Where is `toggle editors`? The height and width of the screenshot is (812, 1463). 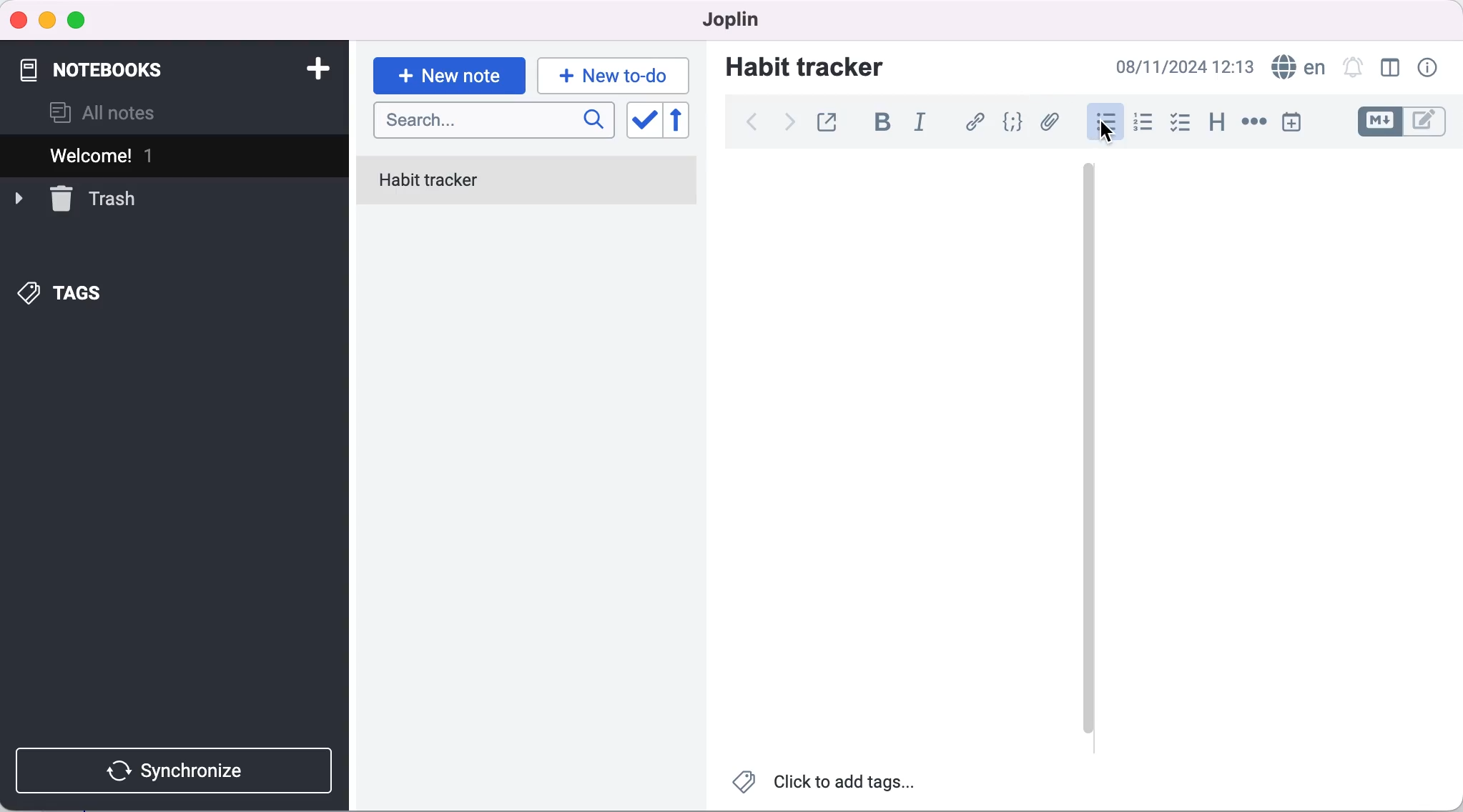
toggle editors is located at coordinates (1404, 122).